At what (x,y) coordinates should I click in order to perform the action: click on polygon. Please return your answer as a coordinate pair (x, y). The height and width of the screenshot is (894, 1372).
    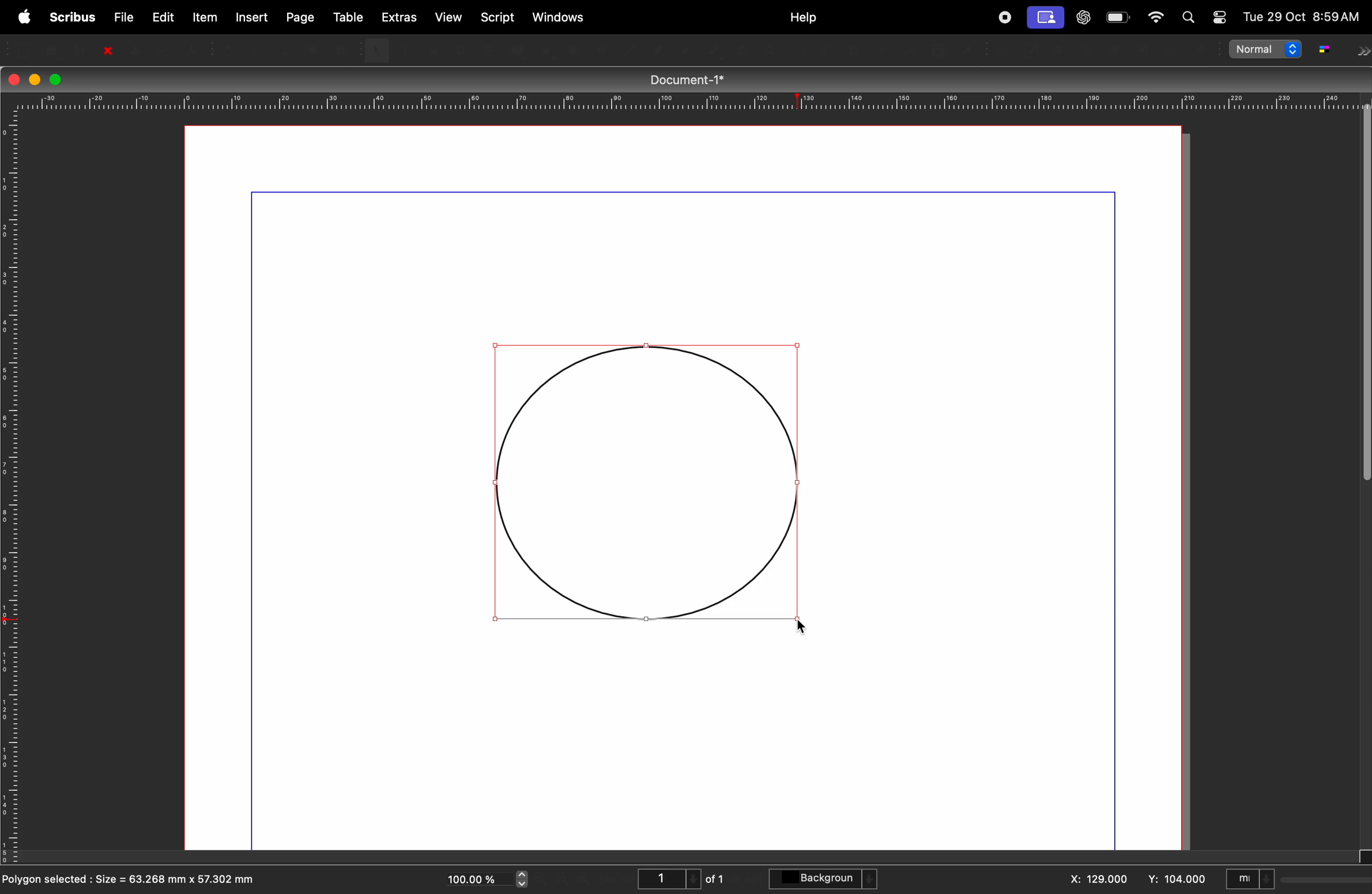
    Looking at the image, I should click on (546, 51).